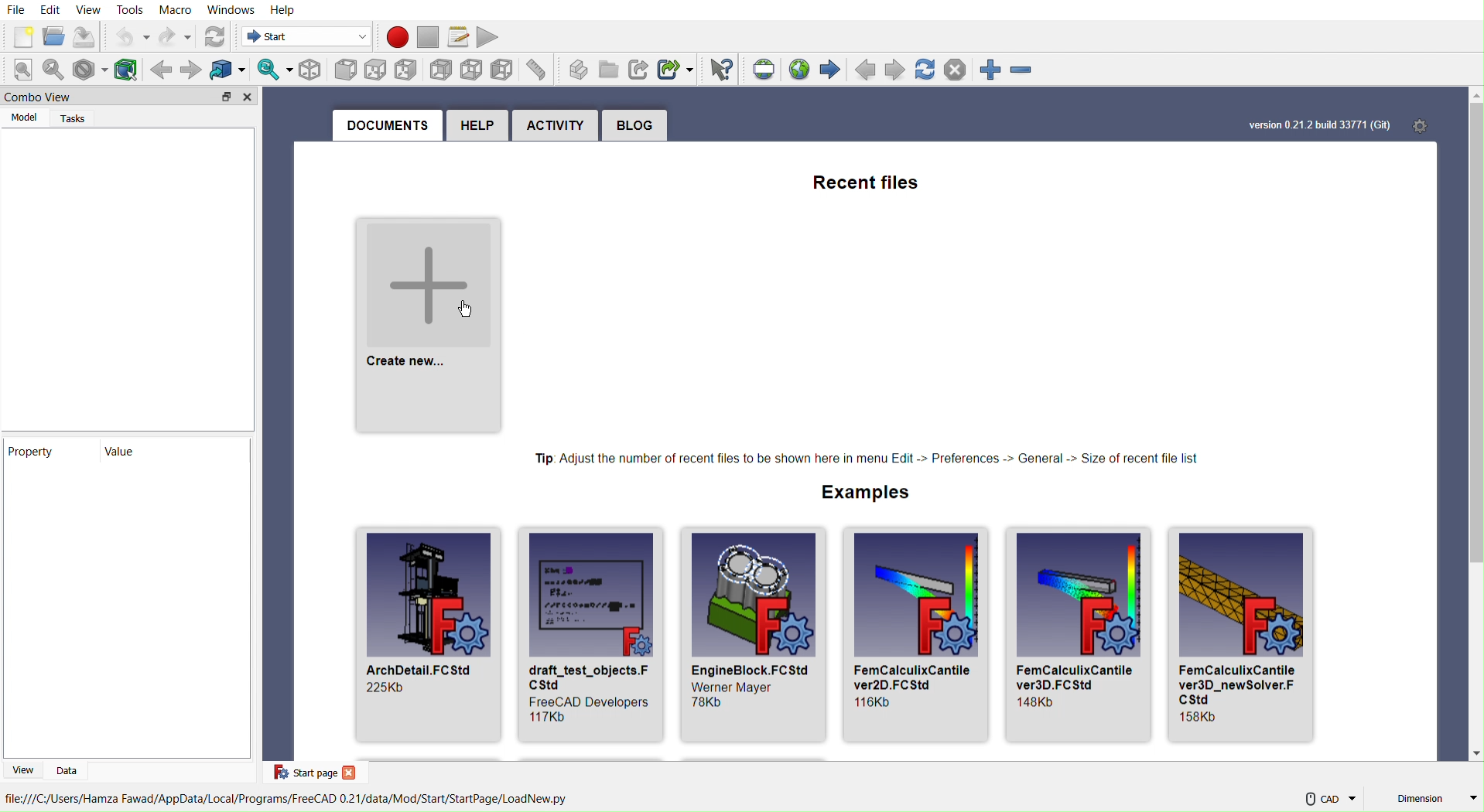  Describe the element at coordinates (1251, 635) in the screenshot. I see `FemCalculixCantile ver3D_newSolver.FC Std 158kb` at that location.